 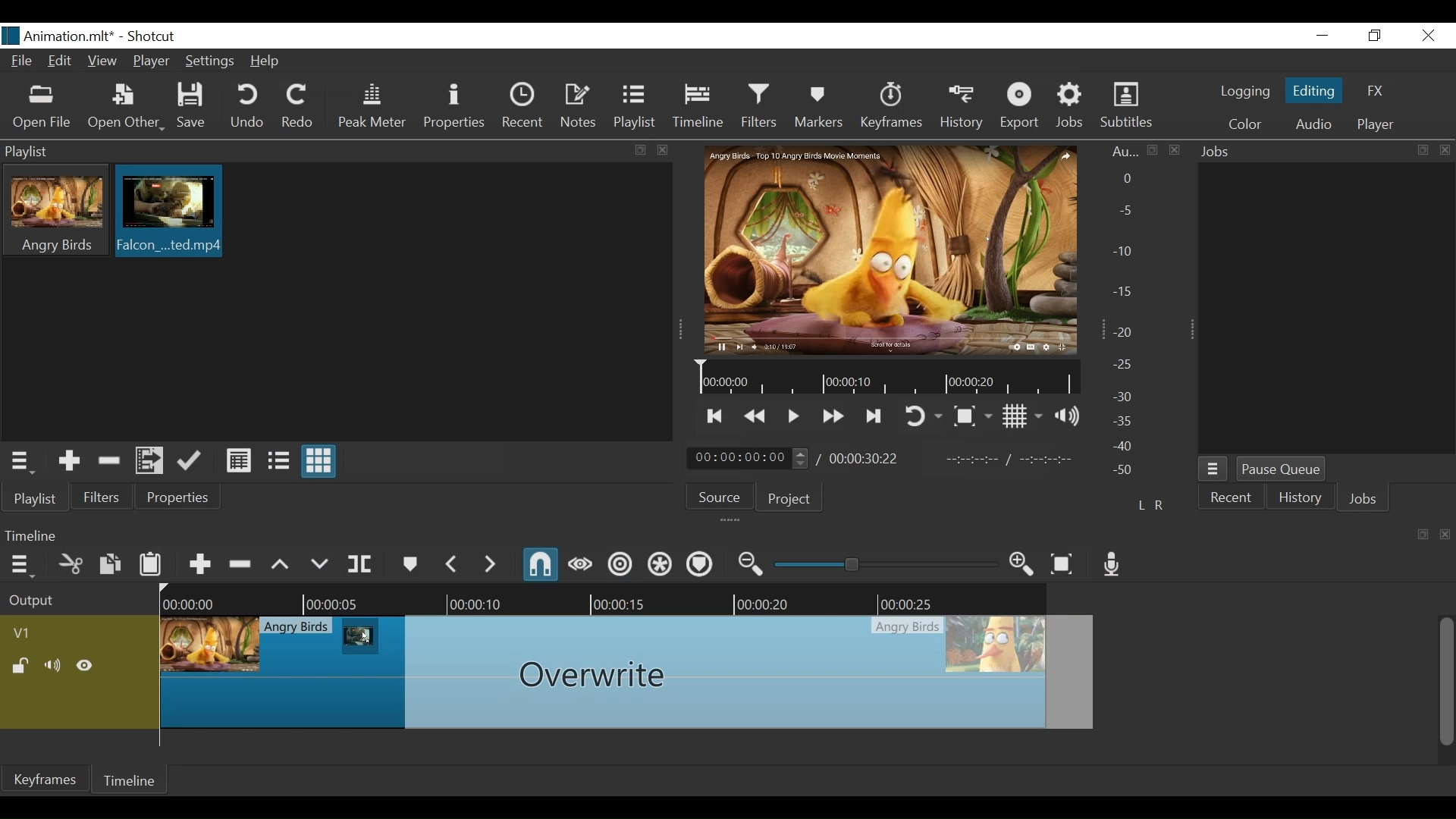 I want to click on Skip to the previous point, so click(x=715, y=418).